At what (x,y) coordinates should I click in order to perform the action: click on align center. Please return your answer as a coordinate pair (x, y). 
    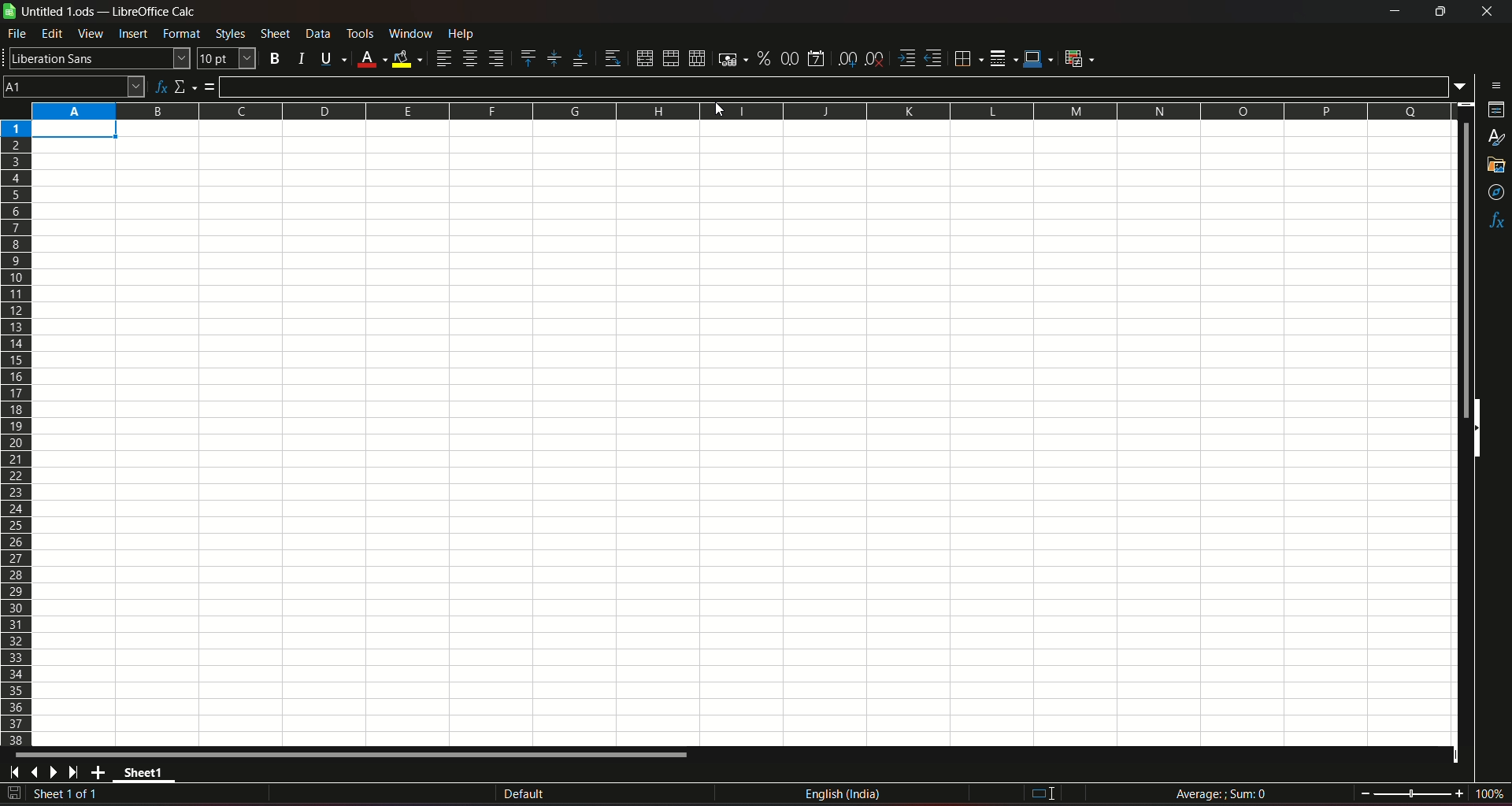
    Looking at the image, I should click on (469, 59).